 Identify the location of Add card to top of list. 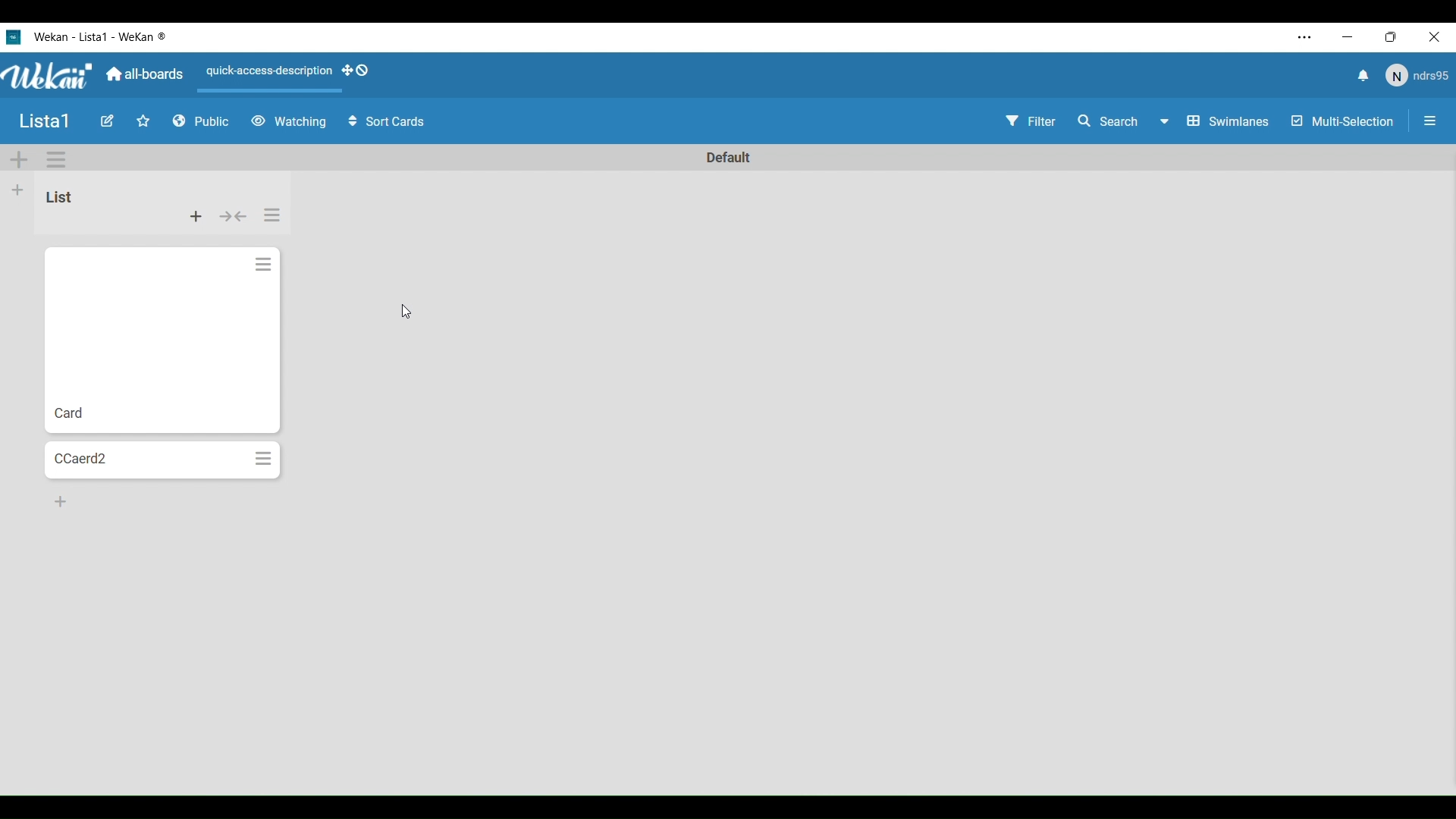
(196, 217).